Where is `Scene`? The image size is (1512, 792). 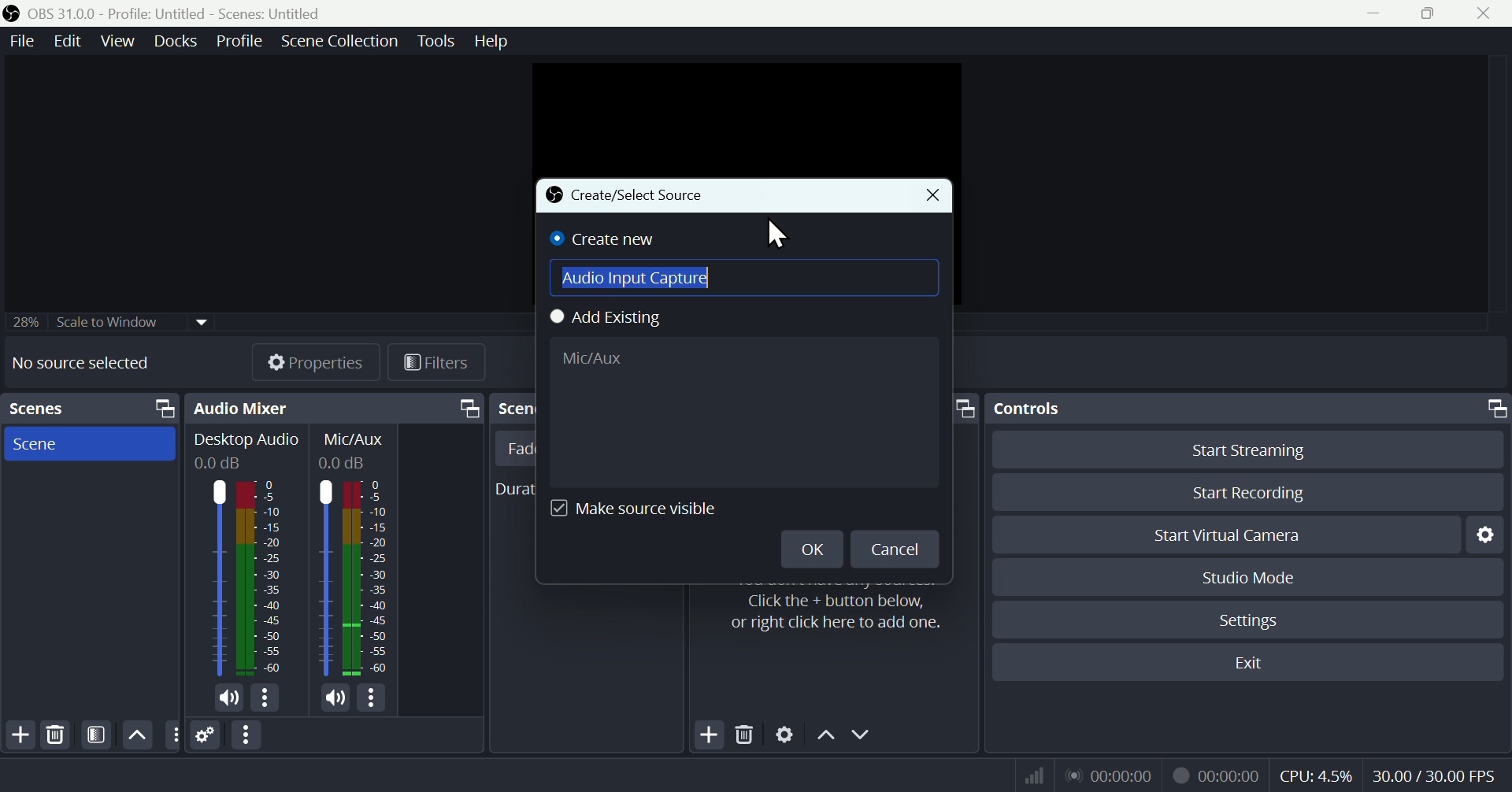
Scene is located at coordinates (86, 442).